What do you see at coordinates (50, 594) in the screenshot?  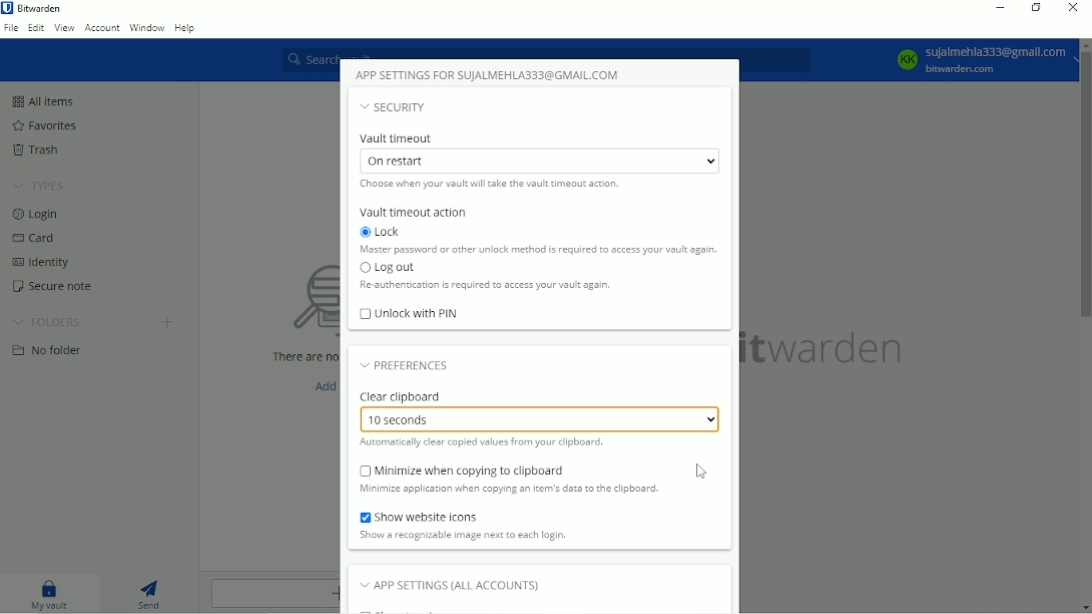 I see `My vault` at bounding box center [50, 594].